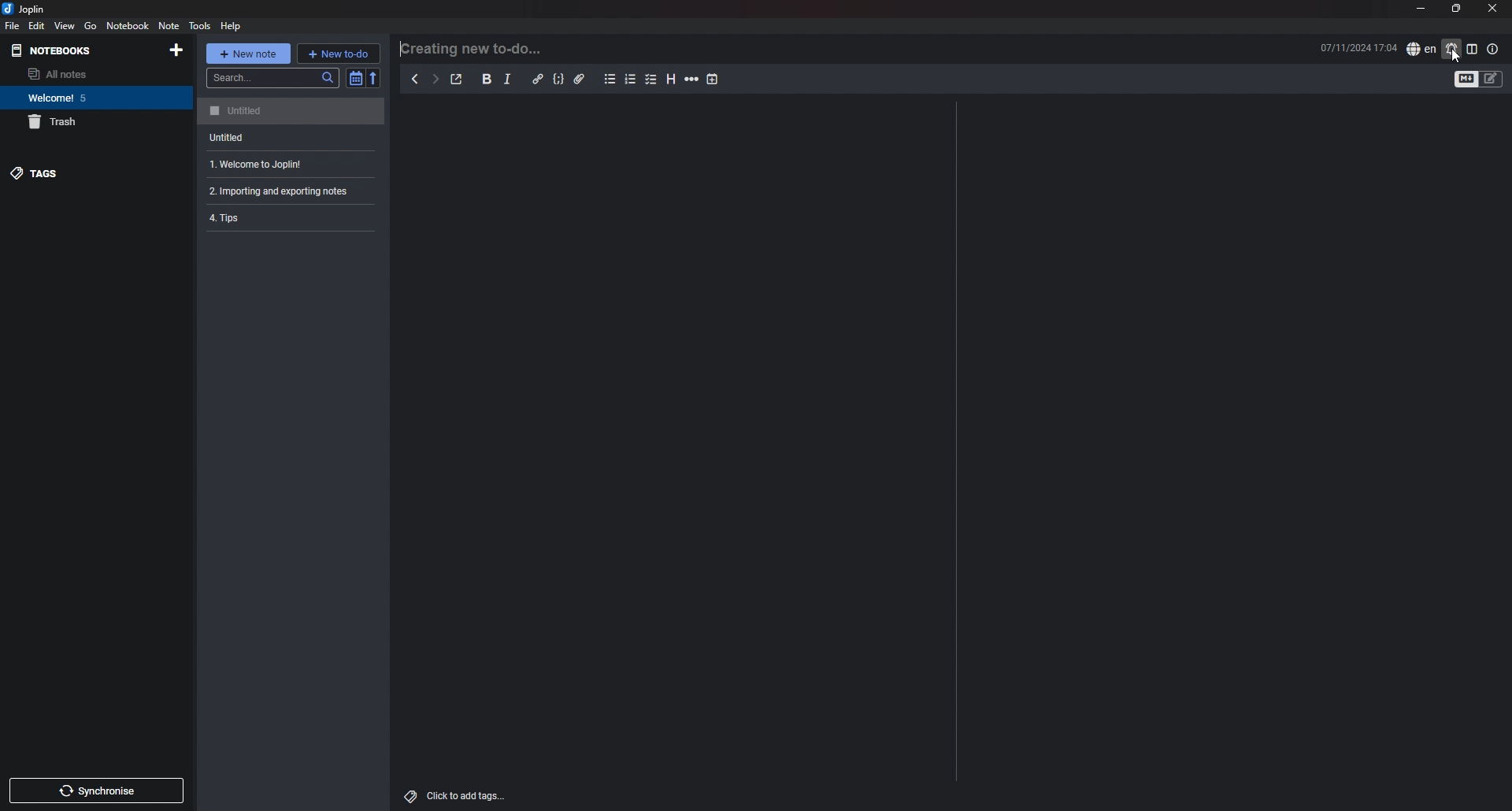  What do you see at coordinates (1492, 79) in the screenshot?
I see `toggle editors` at bounding box center [1492, 79].